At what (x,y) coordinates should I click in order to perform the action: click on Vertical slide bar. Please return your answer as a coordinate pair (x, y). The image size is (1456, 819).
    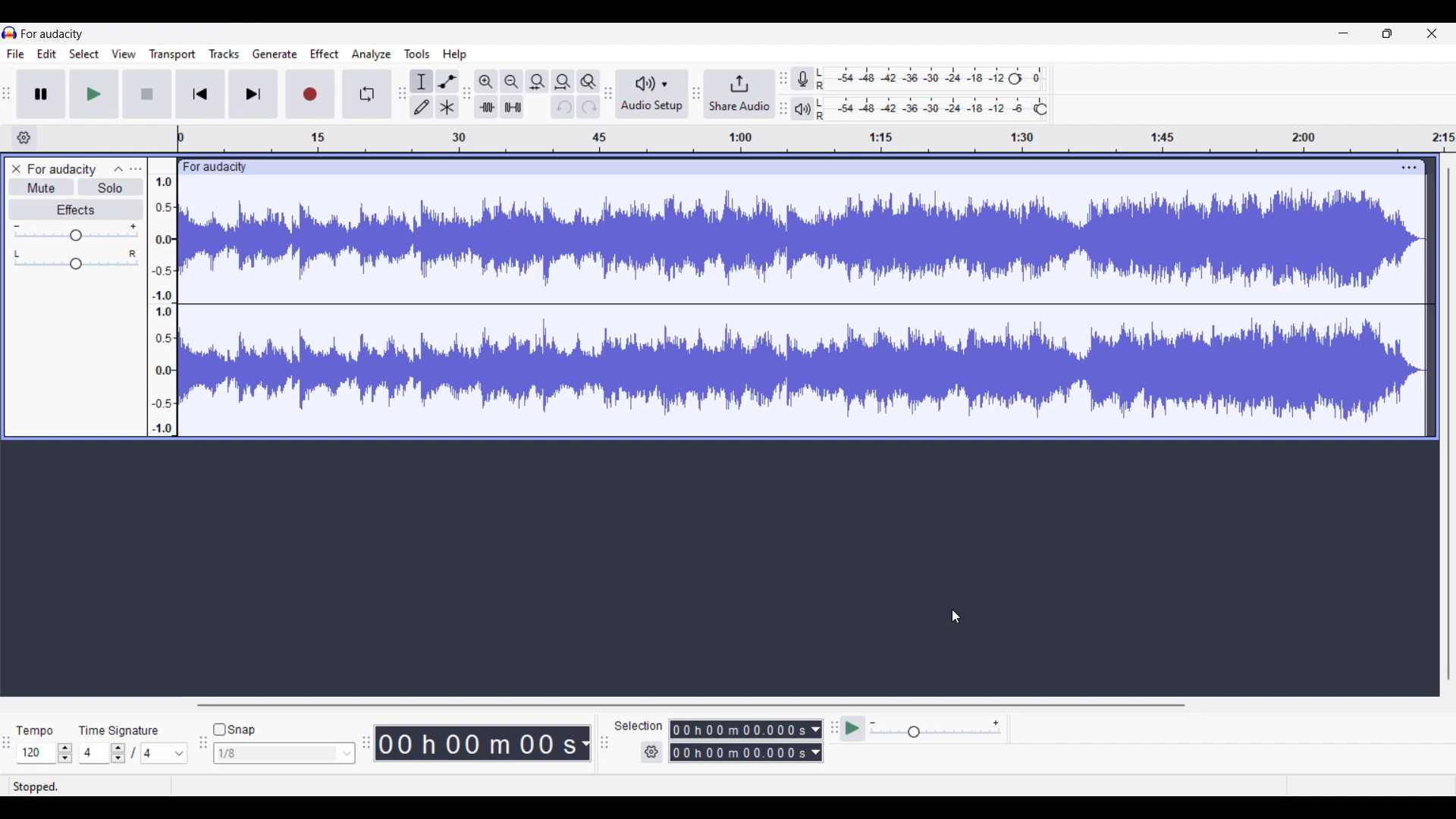
    Looking at the image, I should click on (1448, 425).